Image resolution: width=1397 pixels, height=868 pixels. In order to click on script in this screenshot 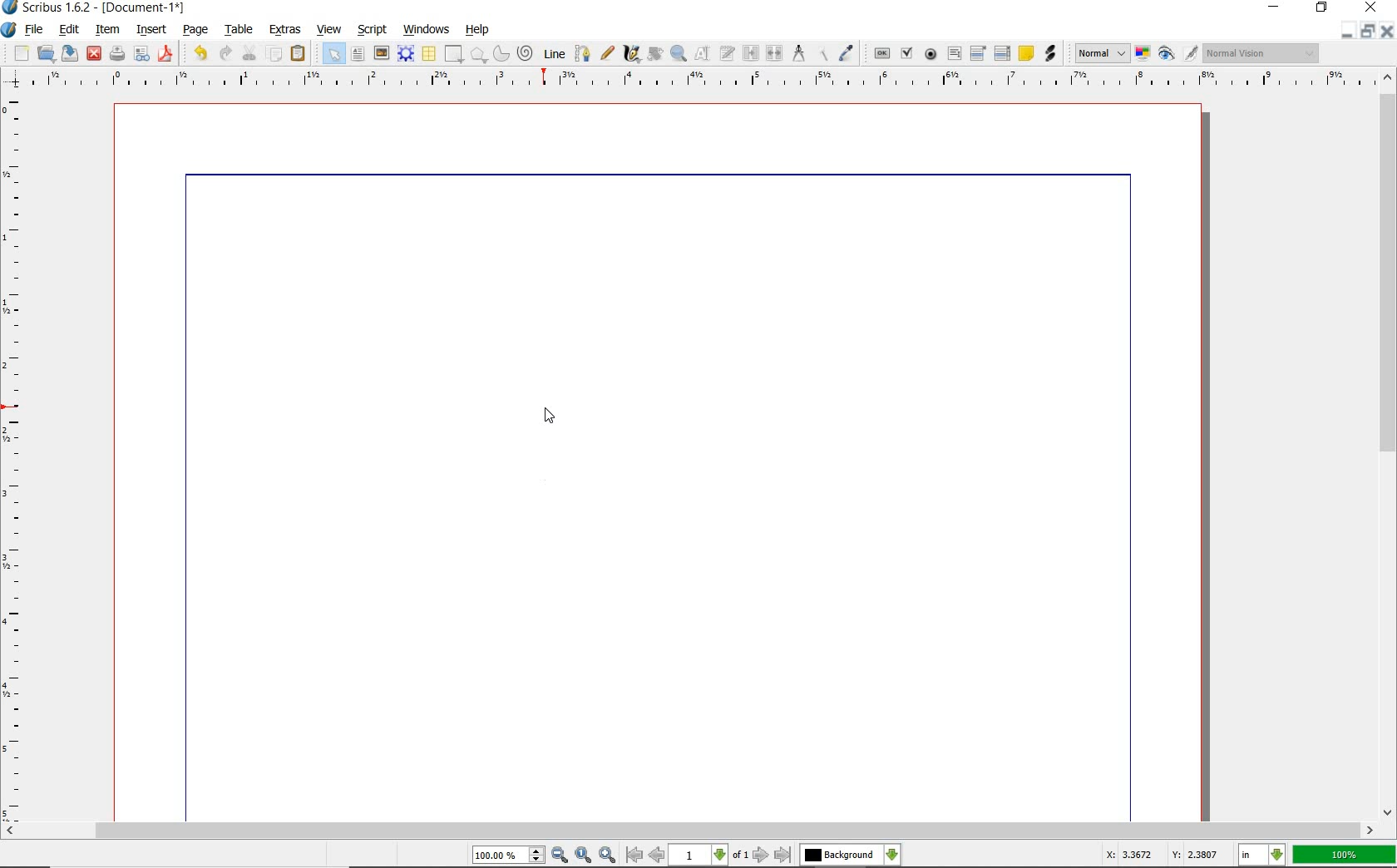, I will do `click(373, 29)`.